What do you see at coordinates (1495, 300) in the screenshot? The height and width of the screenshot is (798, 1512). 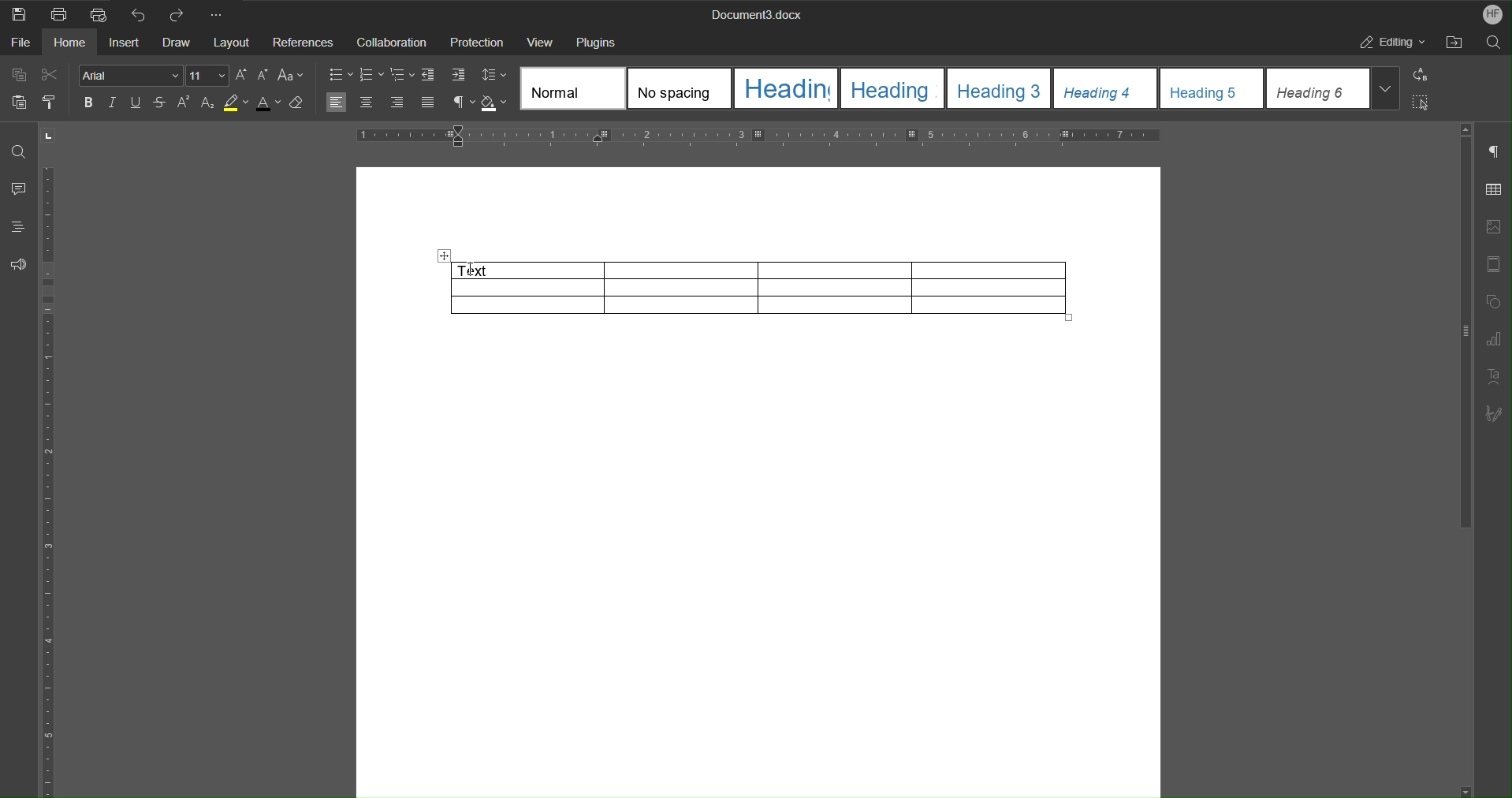 I see `Shape Settings` at bounding box center [1495, 300].